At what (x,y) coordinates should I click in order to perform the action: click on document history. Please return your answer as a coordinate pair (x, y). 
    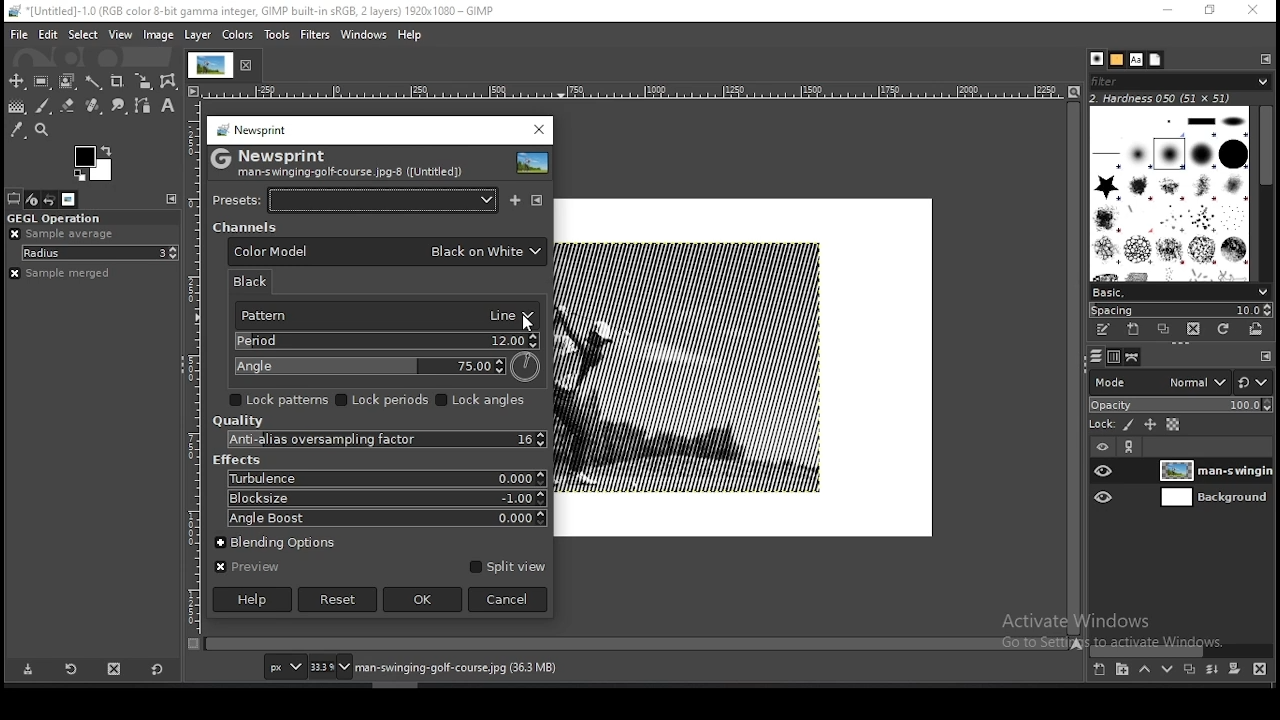
    Looking at the image, I should click on (1155, 60).